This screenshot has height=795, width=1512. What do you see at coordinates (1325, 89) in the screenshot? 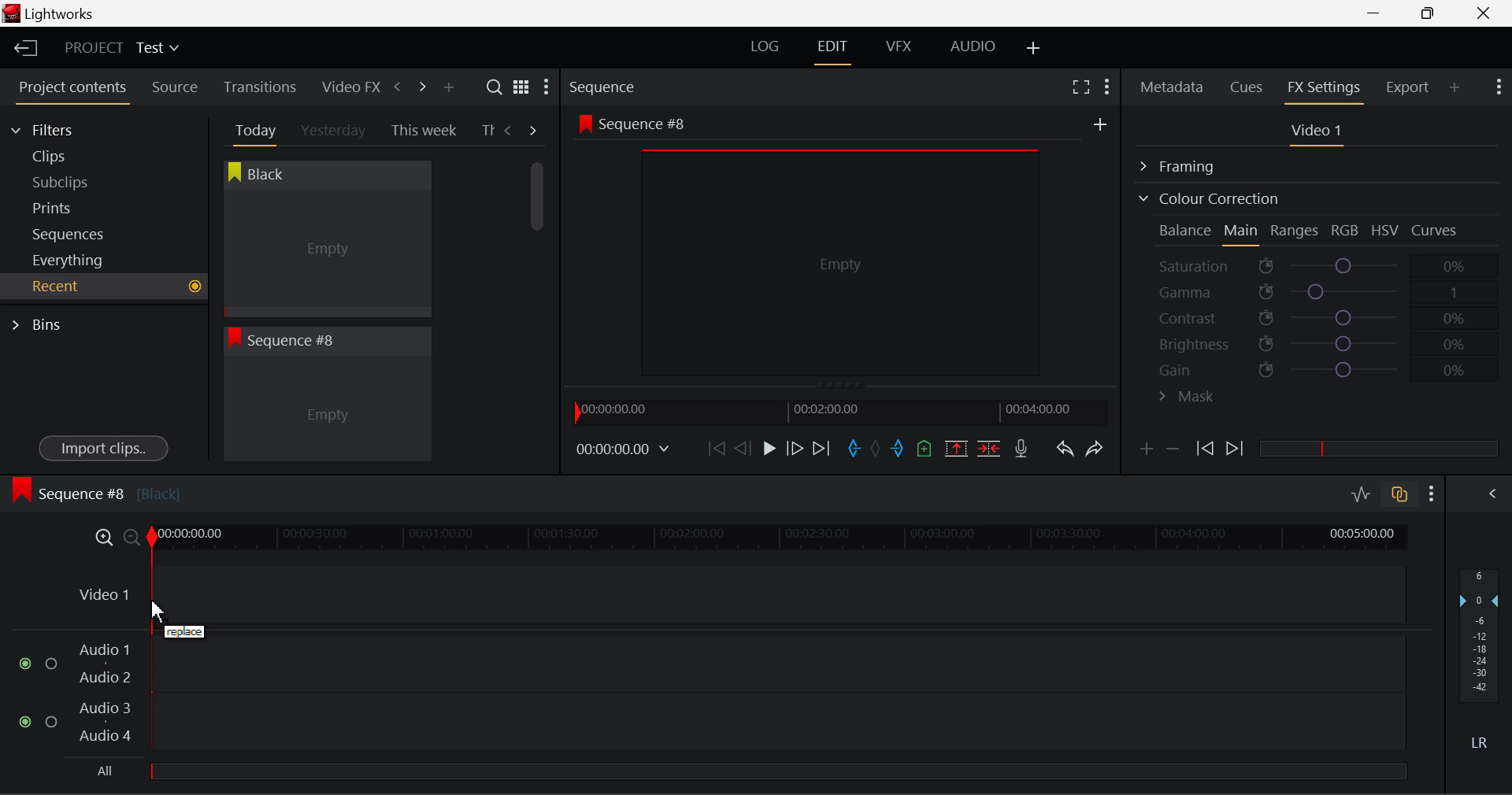
I see `FX Settings Panel Open` at bounding box center [1325, 89].